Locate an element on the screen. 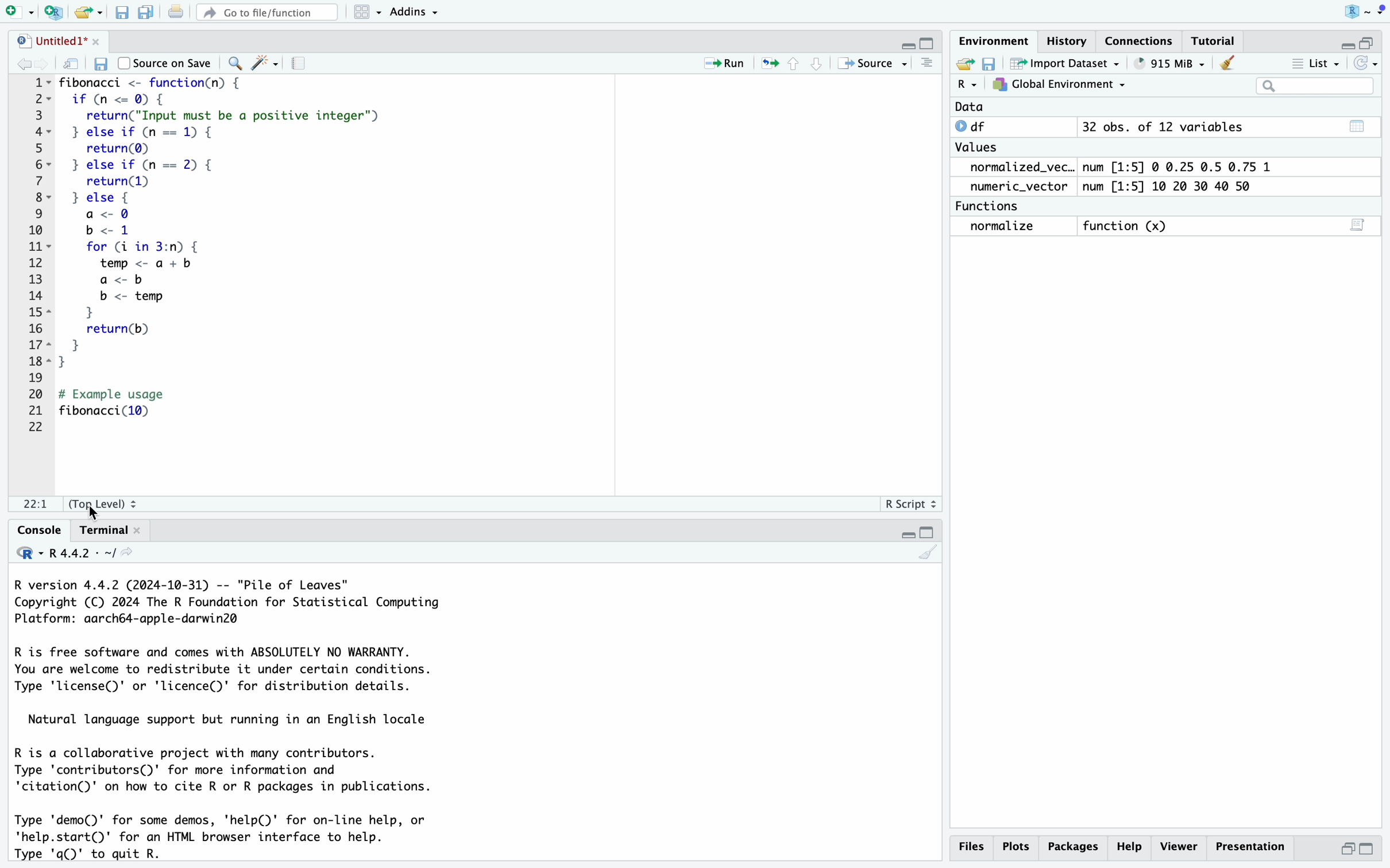  compile report is located at coordinates (298, 64).